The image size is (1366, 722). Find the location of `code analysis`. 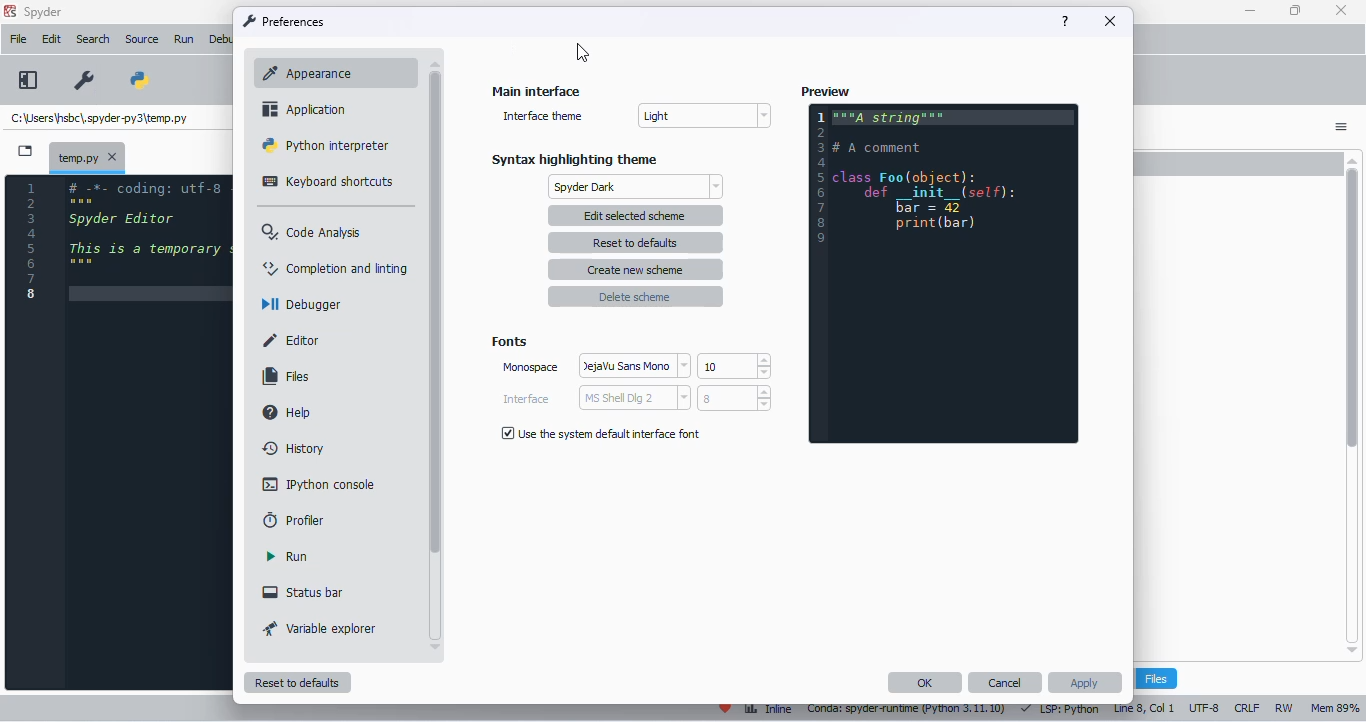

code analysis is located at coordinates (313, 231).